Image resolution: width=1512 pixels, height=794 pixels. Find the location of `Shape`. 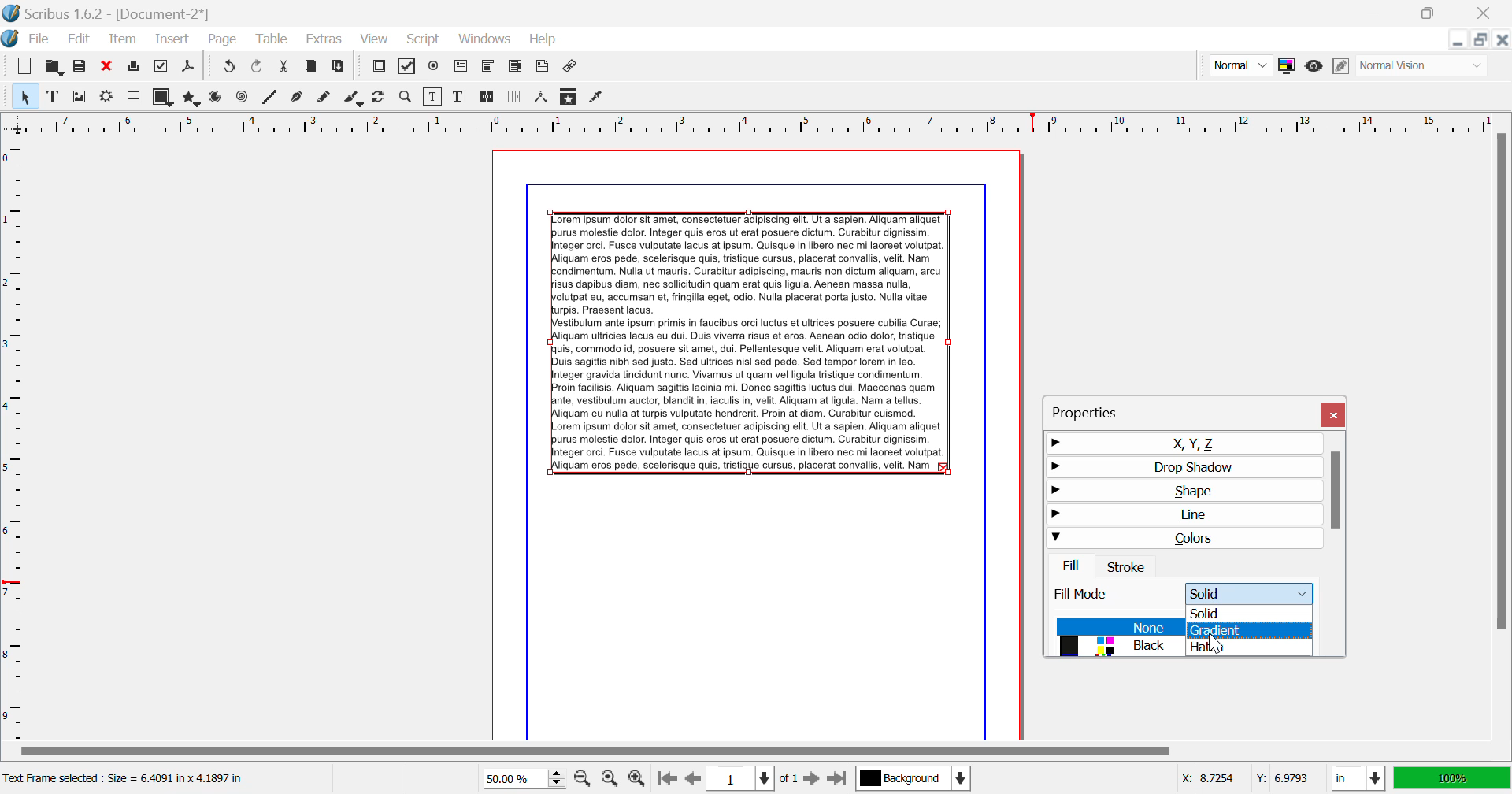

Shape is located at coordinates (1180, 492).